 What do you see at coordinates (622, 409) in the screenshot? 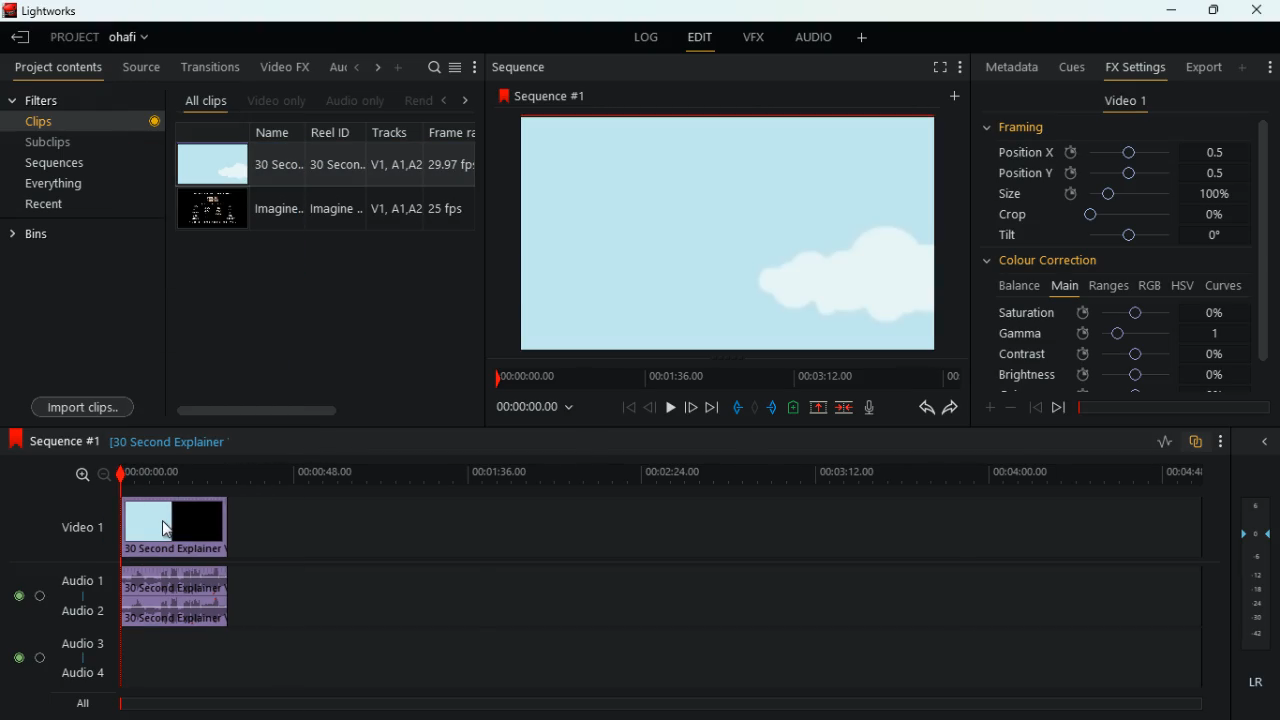
I see `beggining` at bounding box center [622, 409].